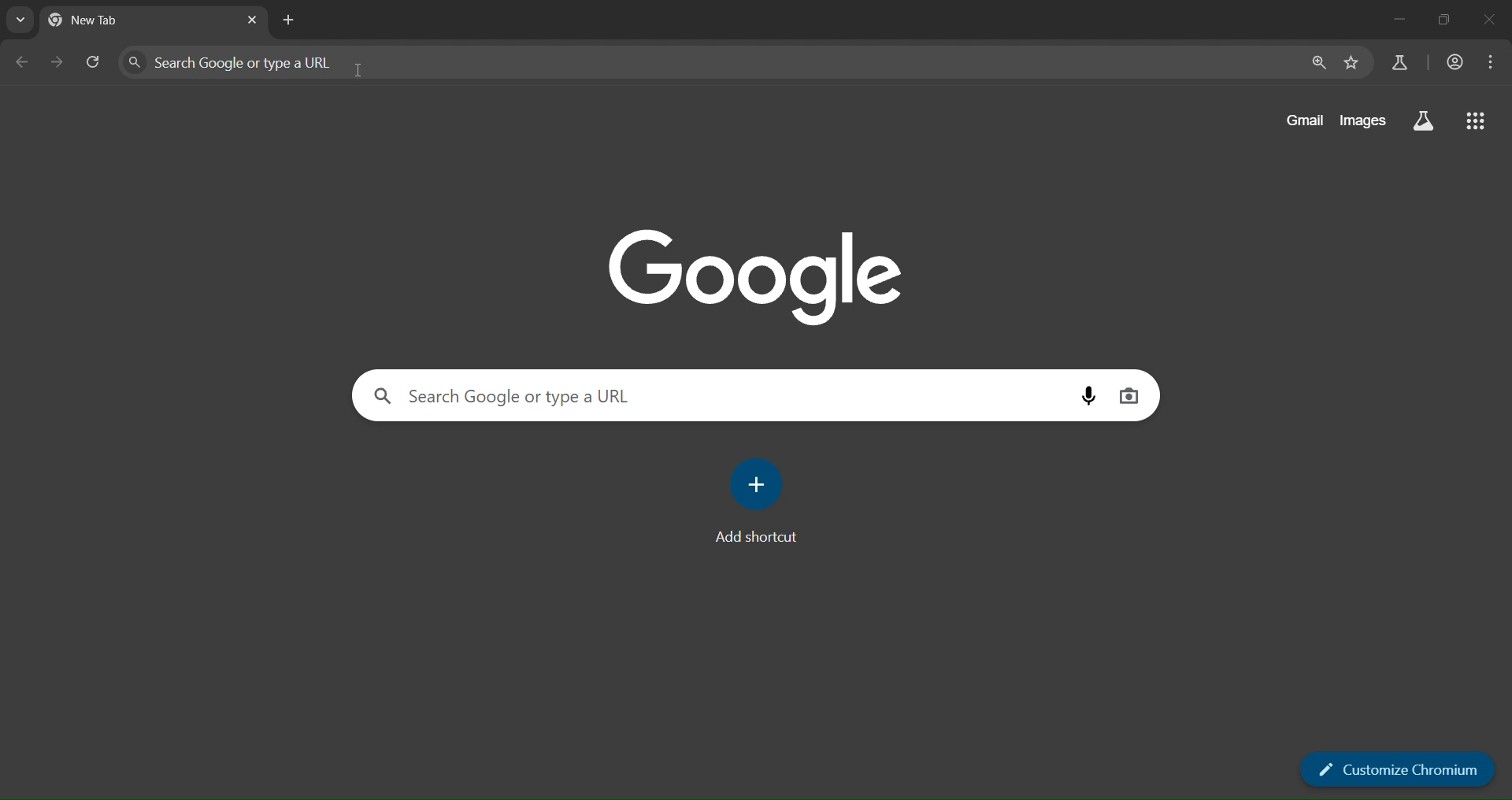  What do you see at coordinates (288, 19) in the screenshot?
I see `new tab` at bounding box center [288, 19].